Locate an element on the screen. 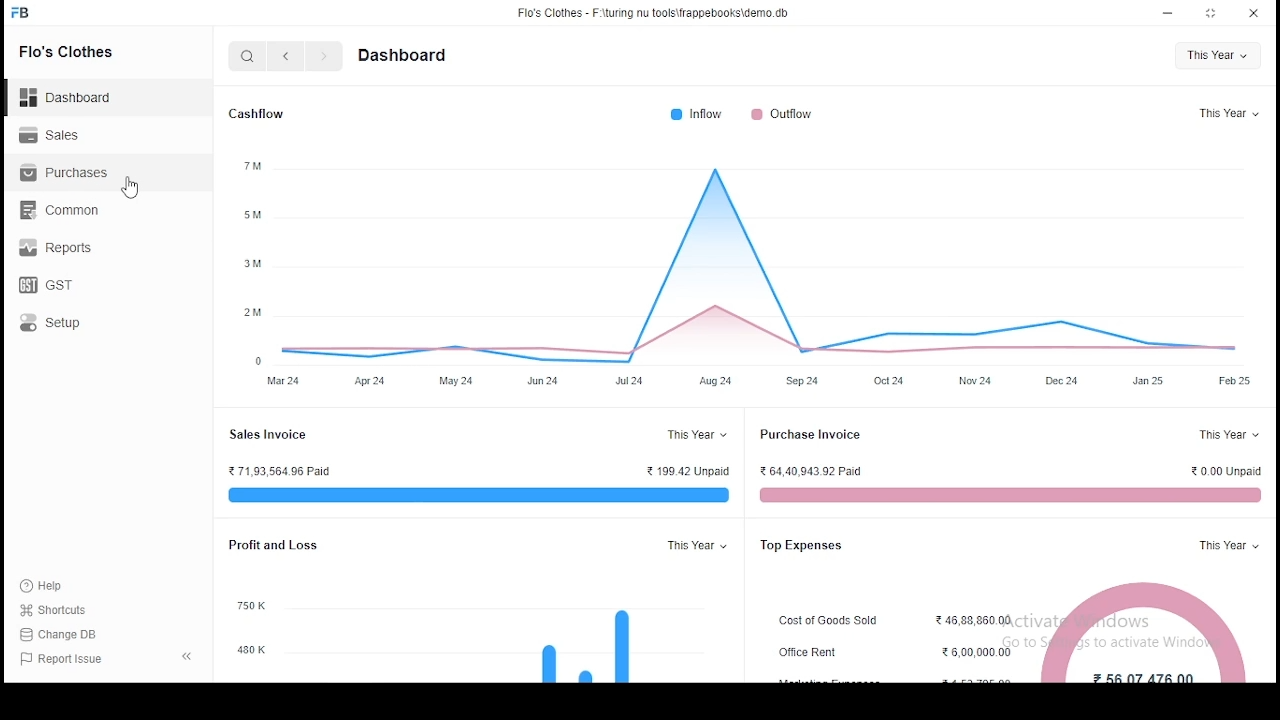 The image size is (1280, 720). report issue is located at coordinates (64, 660).